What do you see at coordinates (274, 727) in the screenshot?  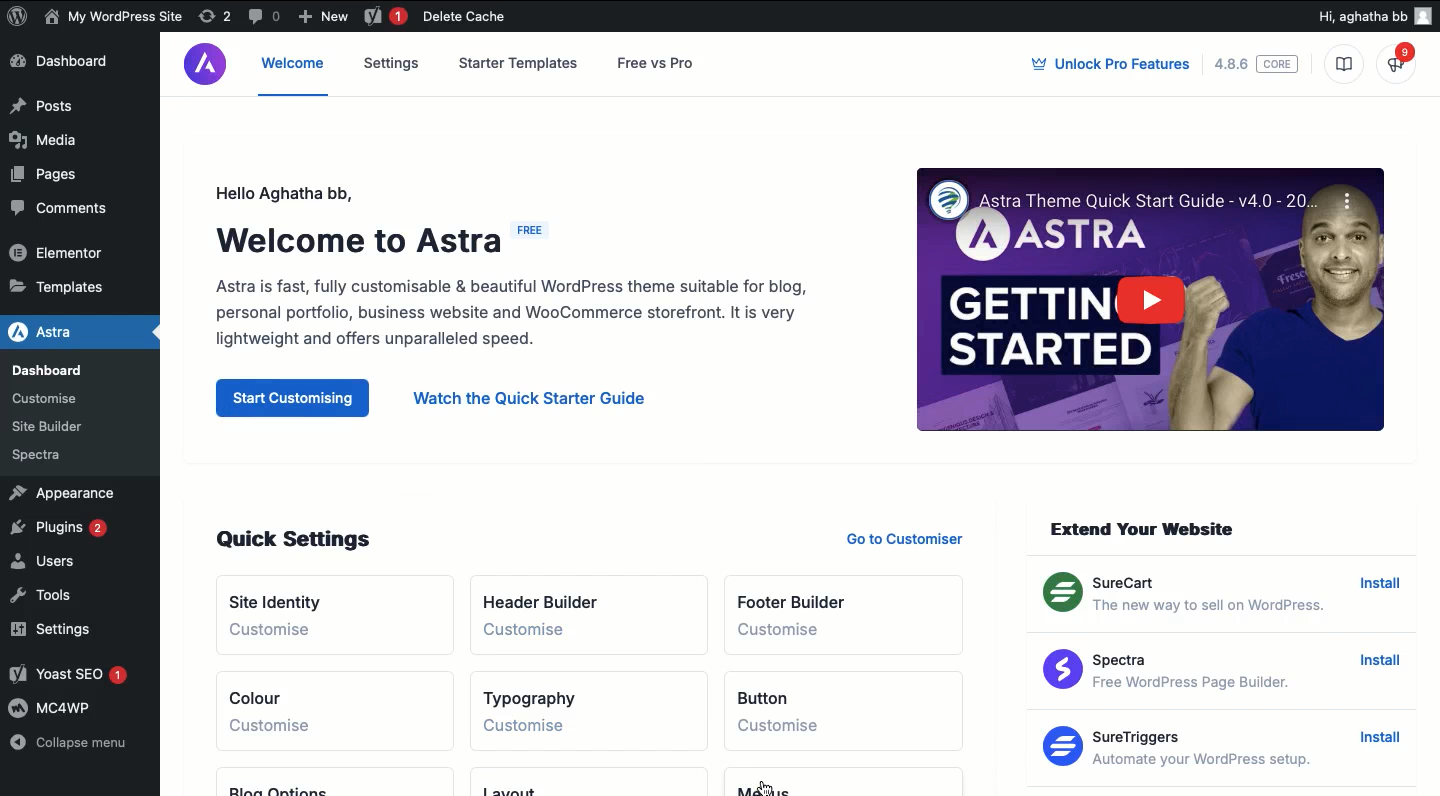 I see `Customise` at bounding box center [274, 727].